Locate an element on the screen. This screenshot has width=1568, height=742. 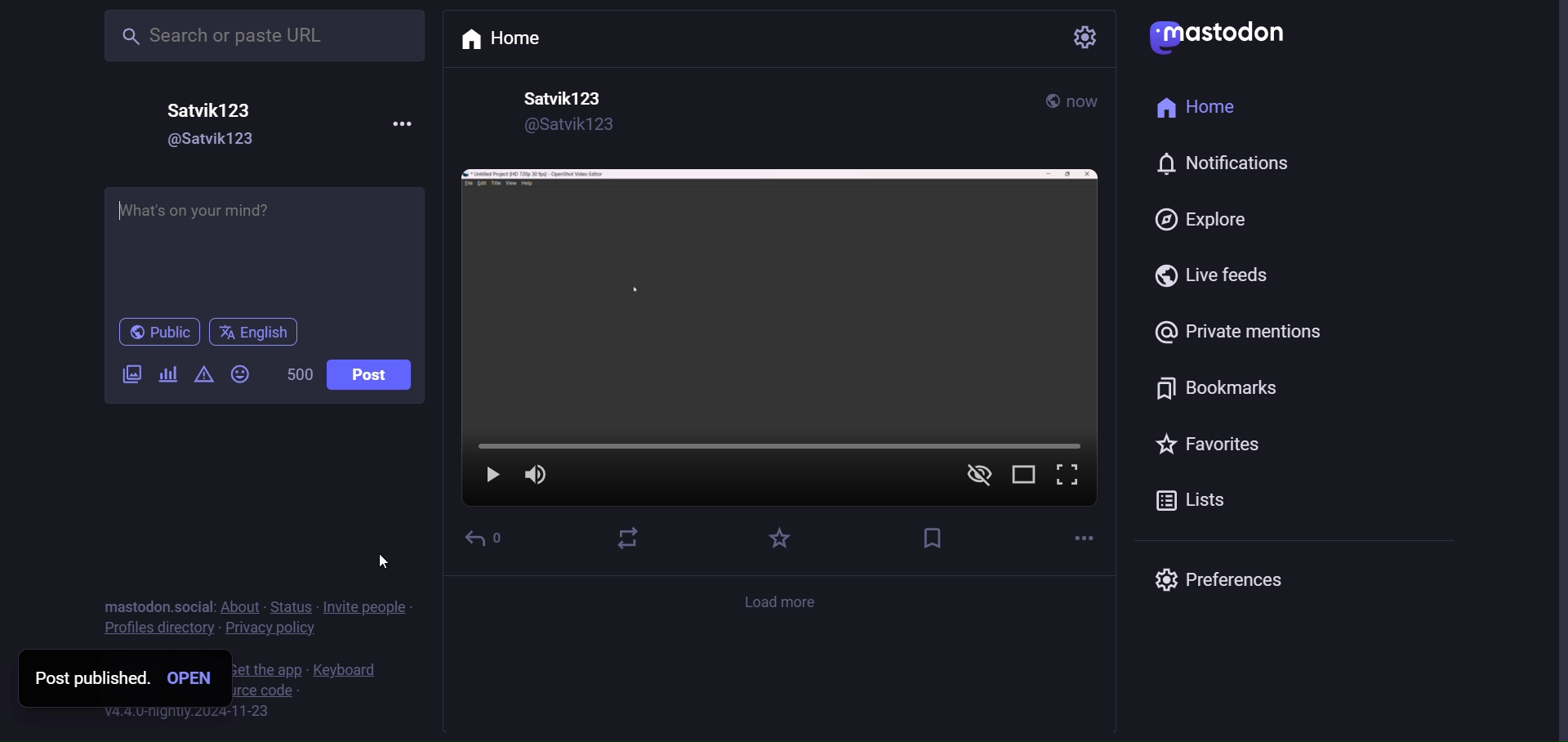
bookmark is located at coordinates (1215, 391).